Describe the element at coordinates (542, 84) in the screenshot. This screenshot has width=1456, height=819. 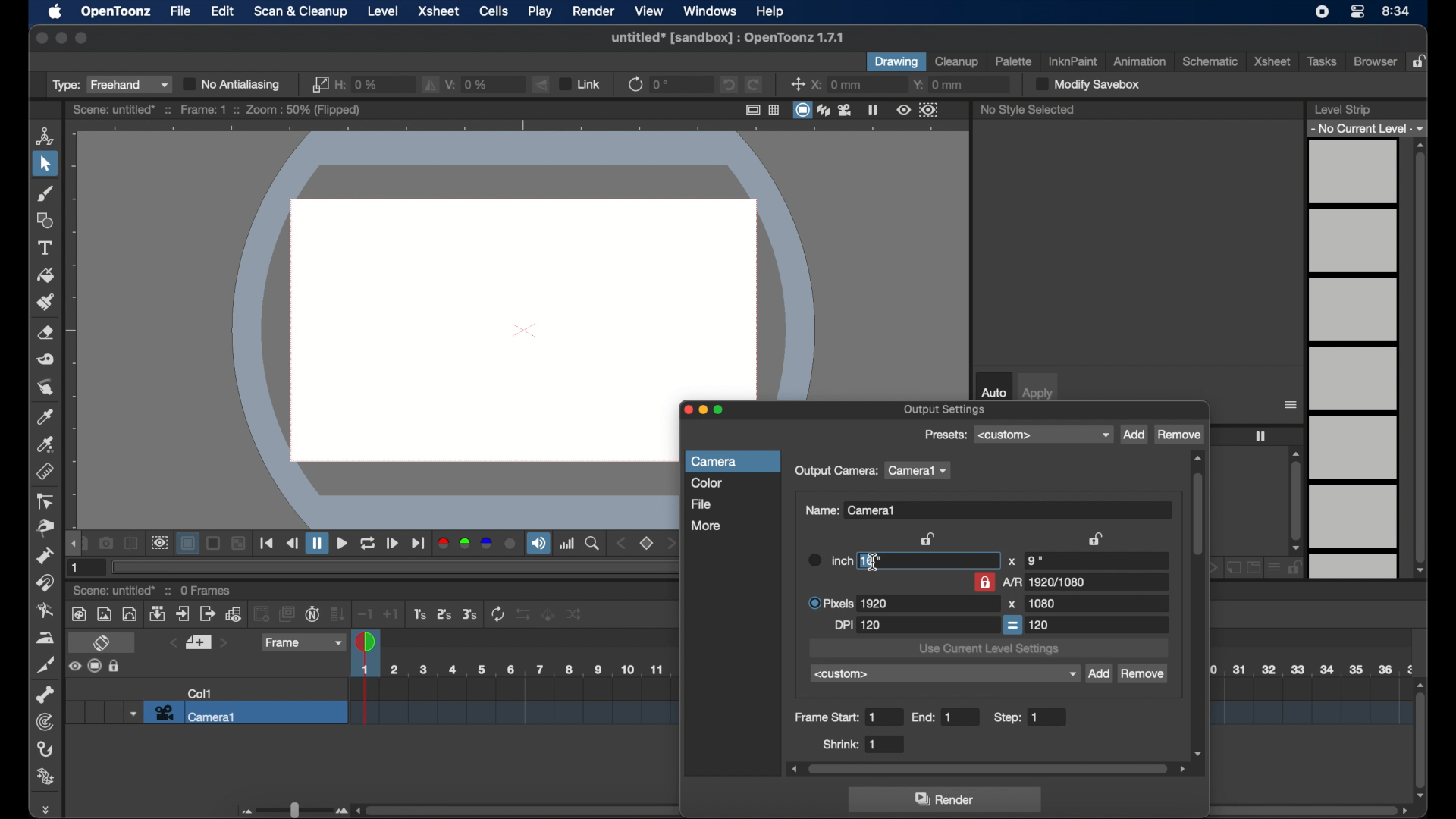
I see `flip vertically` at that location.